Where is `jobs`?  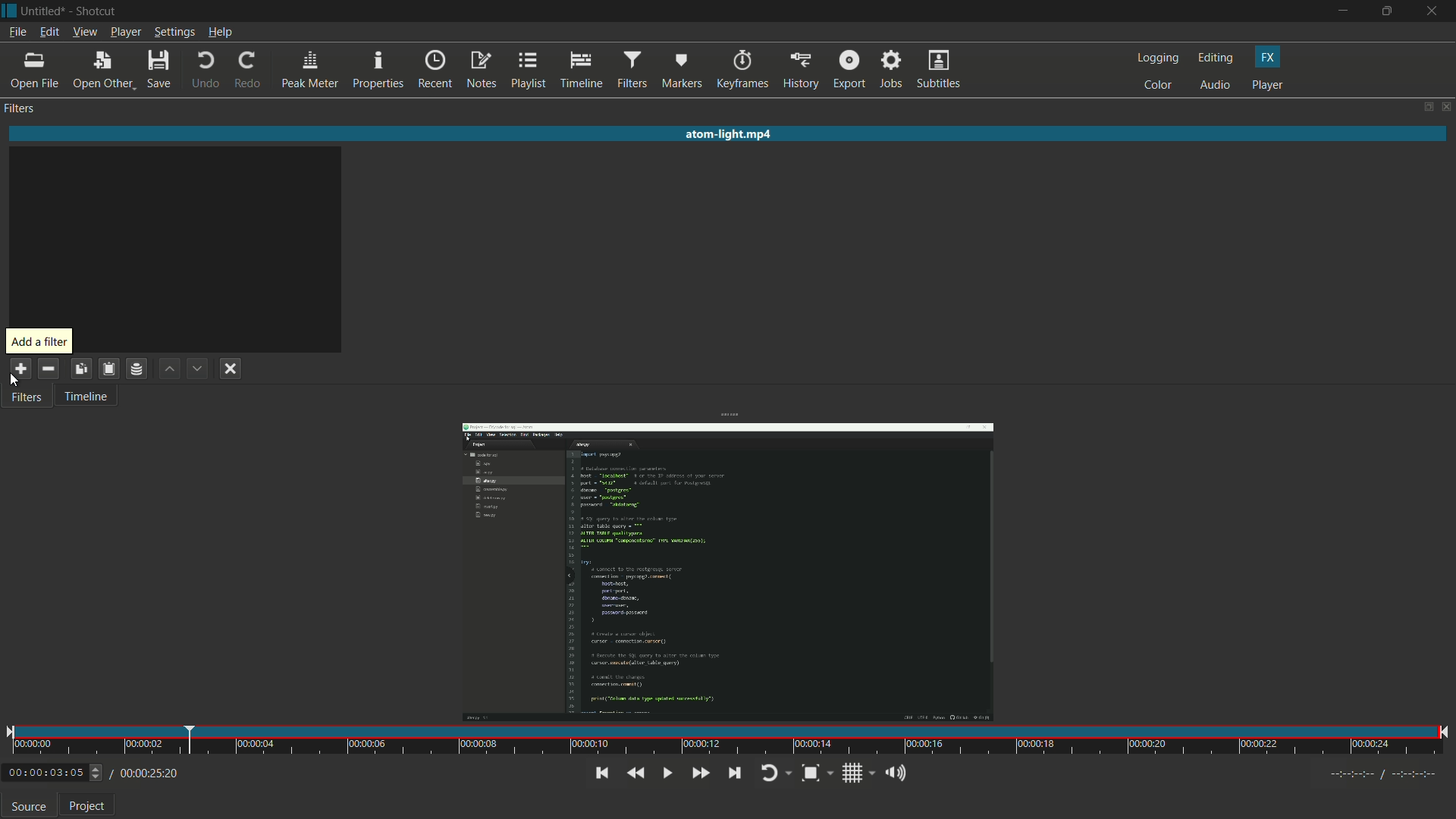
jobs is located at coordinates (893, 70).